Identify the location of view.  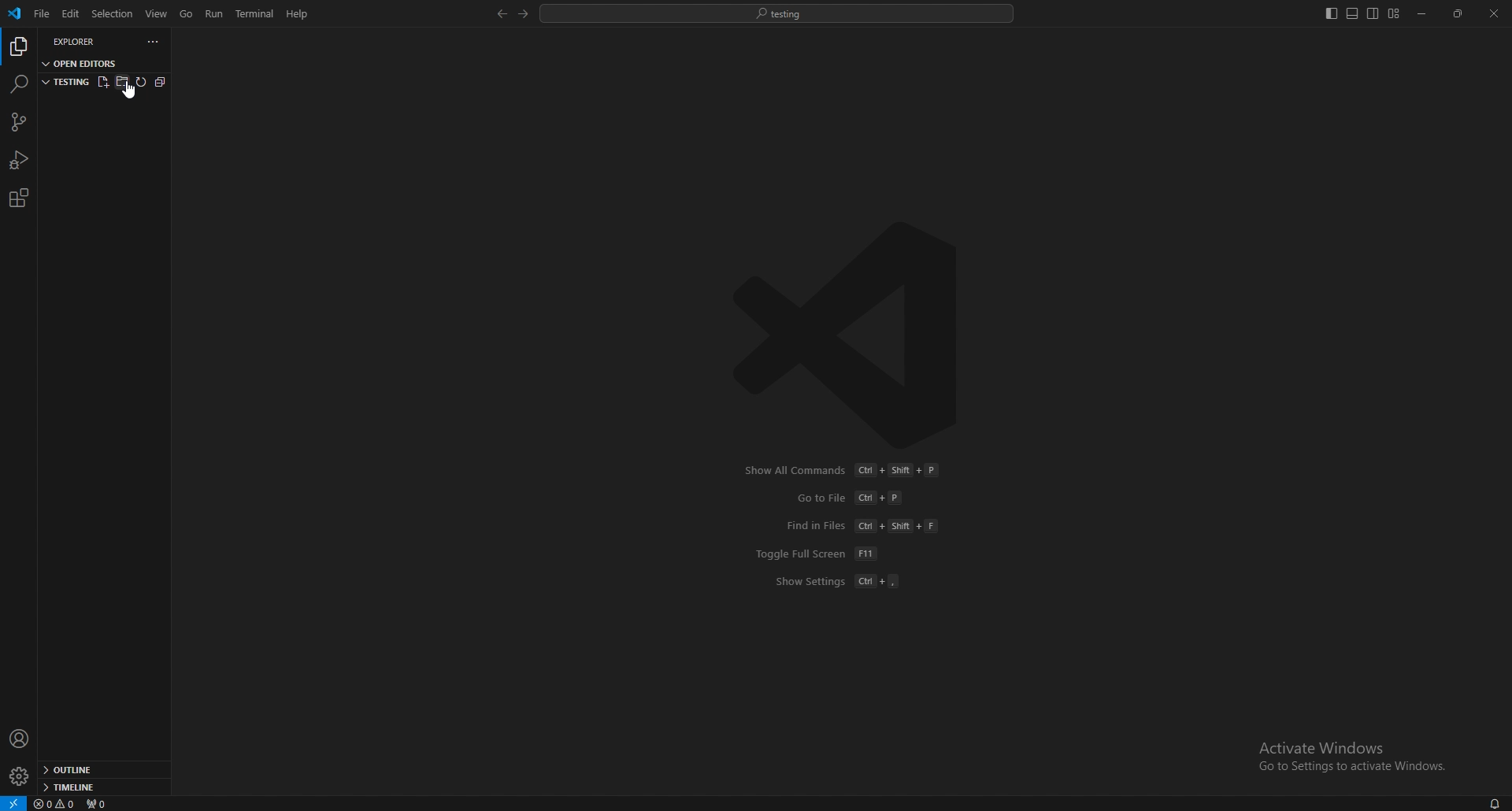
(157, 13).